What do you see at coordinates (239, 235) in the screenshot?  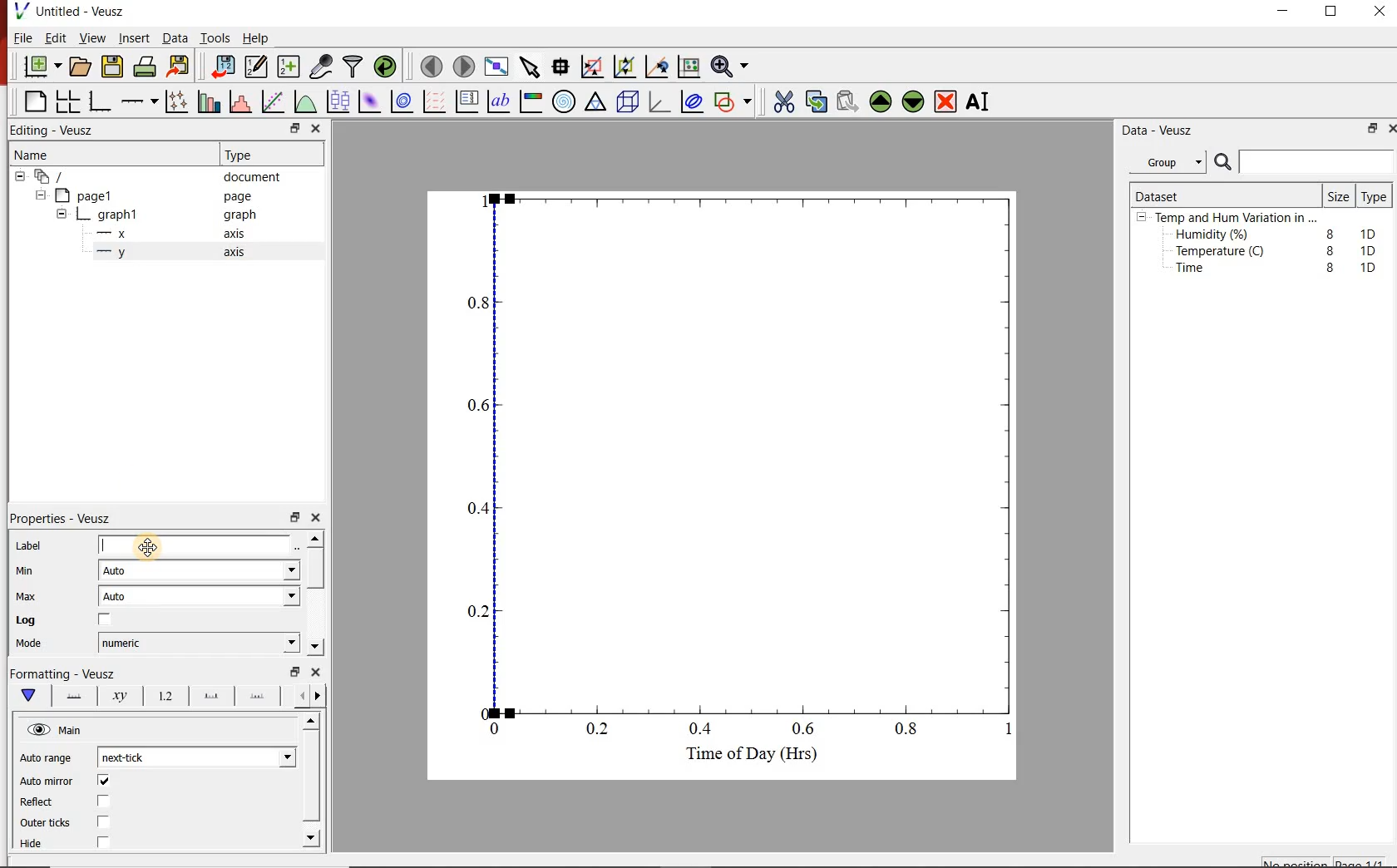 I see `axis` at bounding box center [239, 235].